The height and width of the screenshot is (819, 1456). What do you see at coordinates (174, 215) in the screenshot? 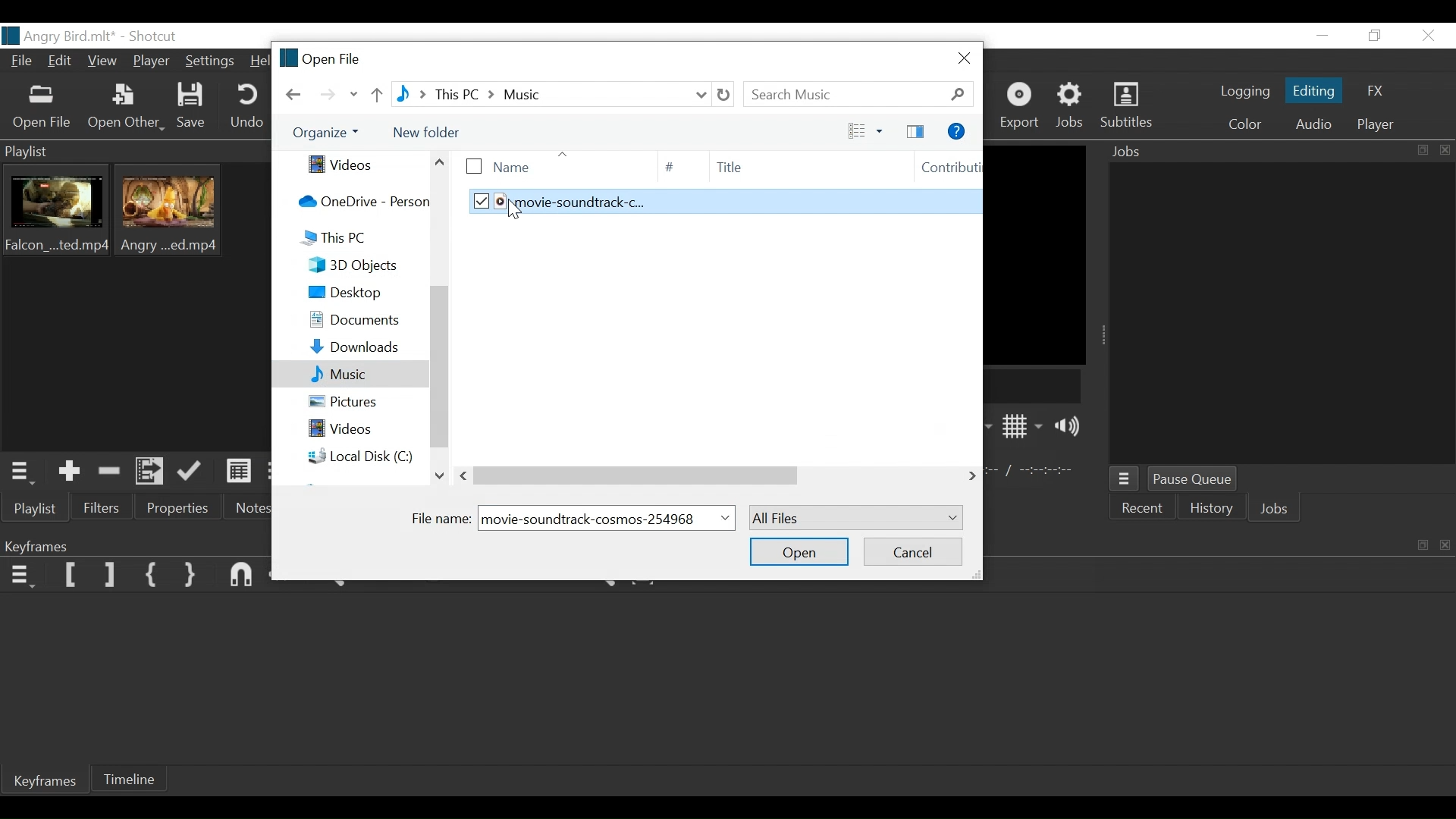
I see `Clip` at bounding box center [174, 215].